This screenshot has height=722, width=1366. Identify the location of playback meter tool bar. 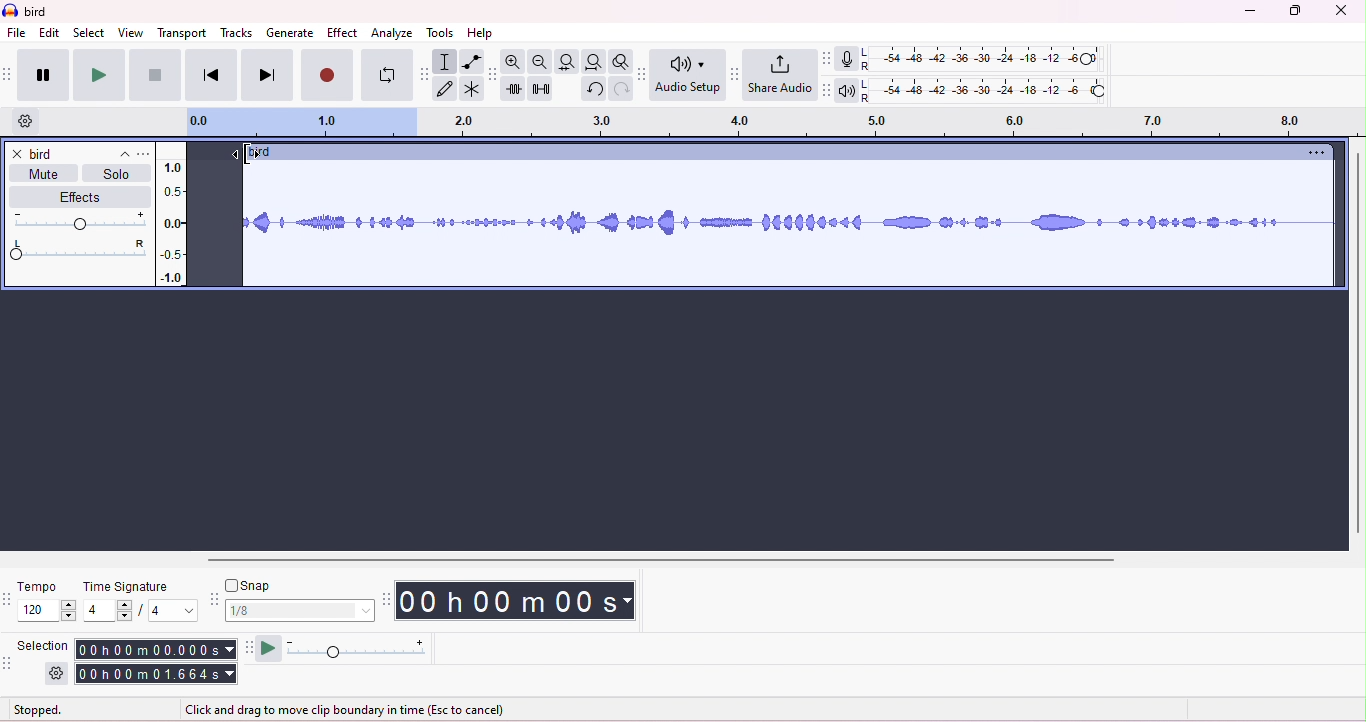
(823, 91).